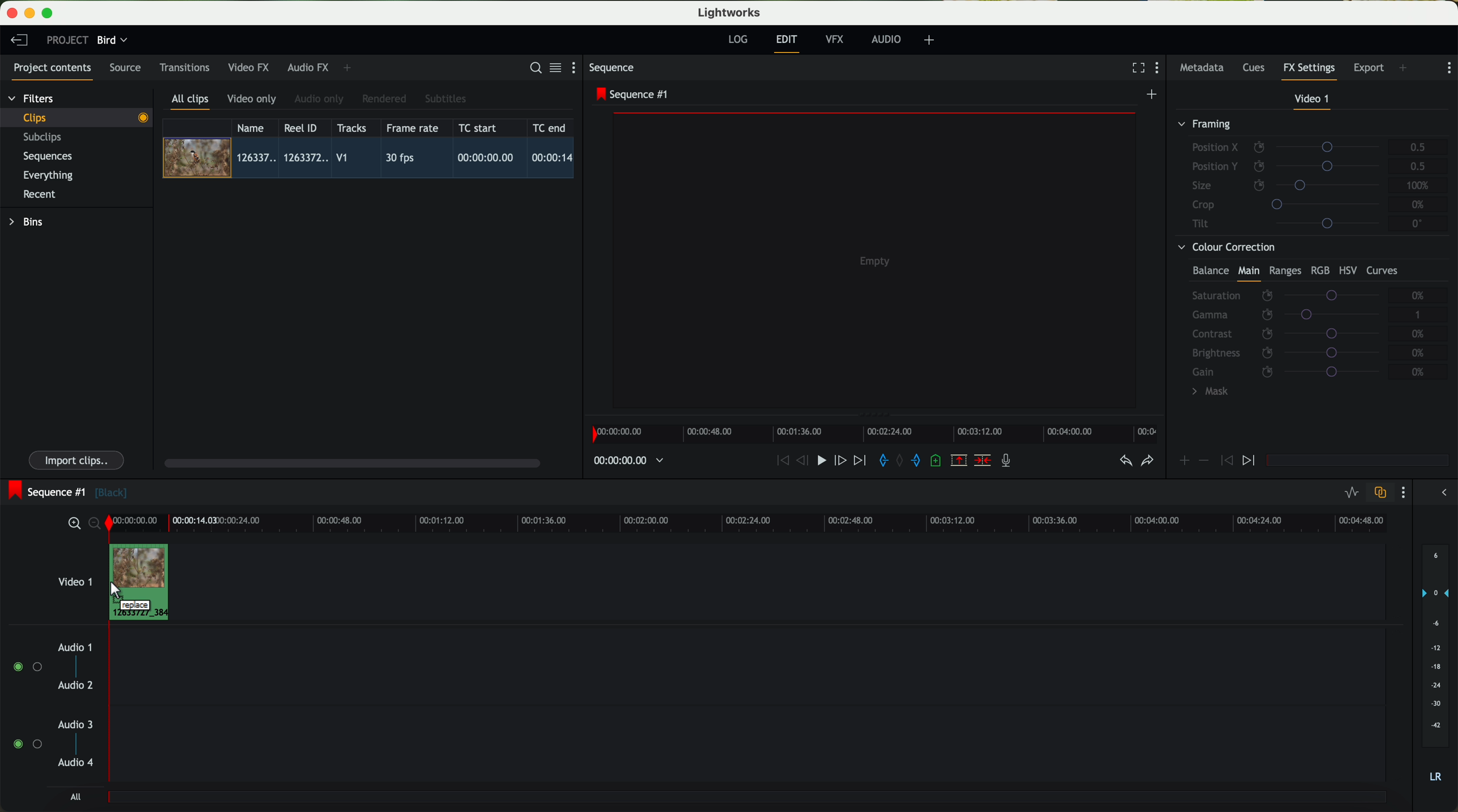 The height and width of the screenshot is (812, 1458). Describe the element at coordinates (960, 461) in the screenshot. I see `remove the marked section` at that location.